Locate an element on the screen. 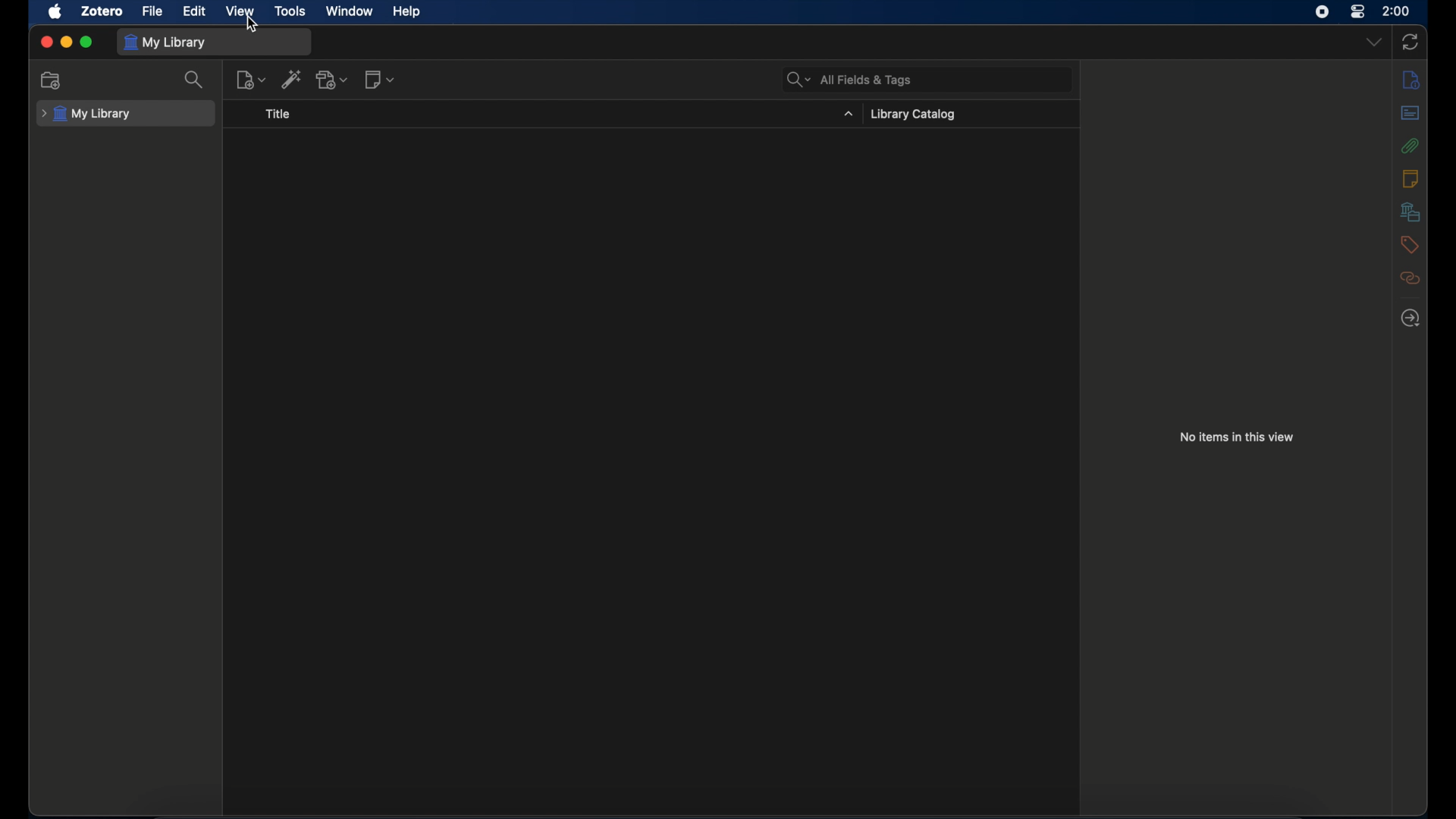 Image resolution: width=1456 pixels, height=819 pixels. all fields & tags is located at coordinates (848, 80).